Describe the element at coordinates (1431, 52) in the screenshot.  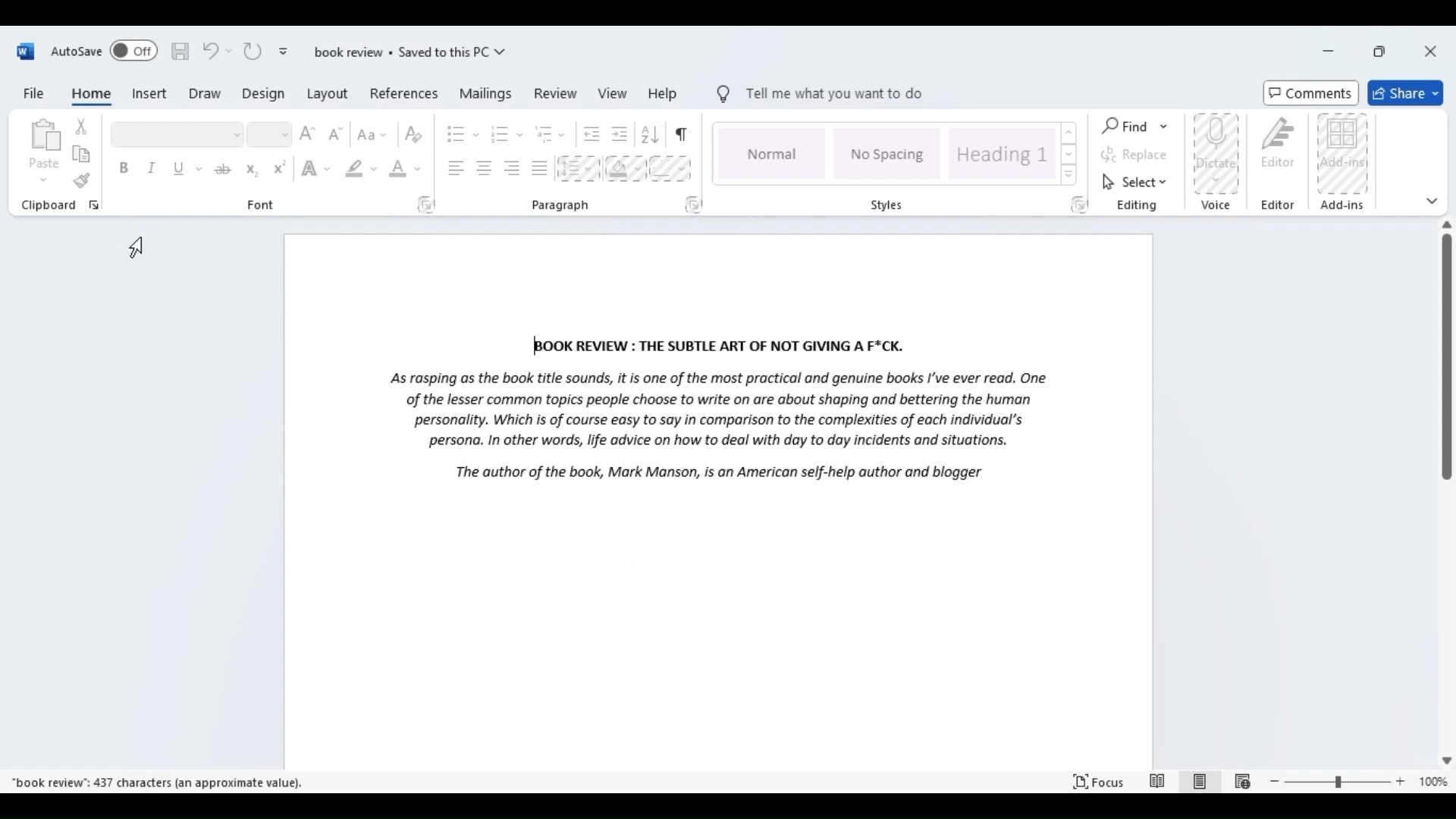
I see `close` at that location.